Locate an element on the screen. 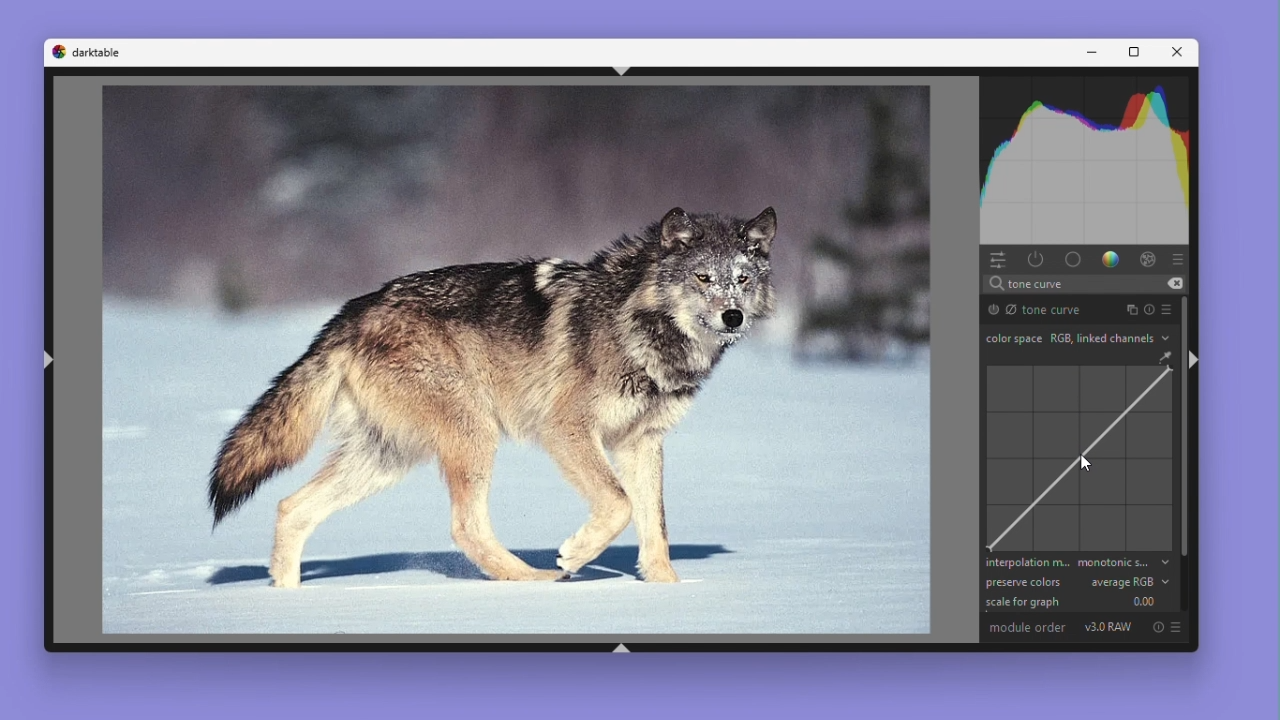 The image size is (1280, 720). Dark table logo is located at coordinates (87, 52).